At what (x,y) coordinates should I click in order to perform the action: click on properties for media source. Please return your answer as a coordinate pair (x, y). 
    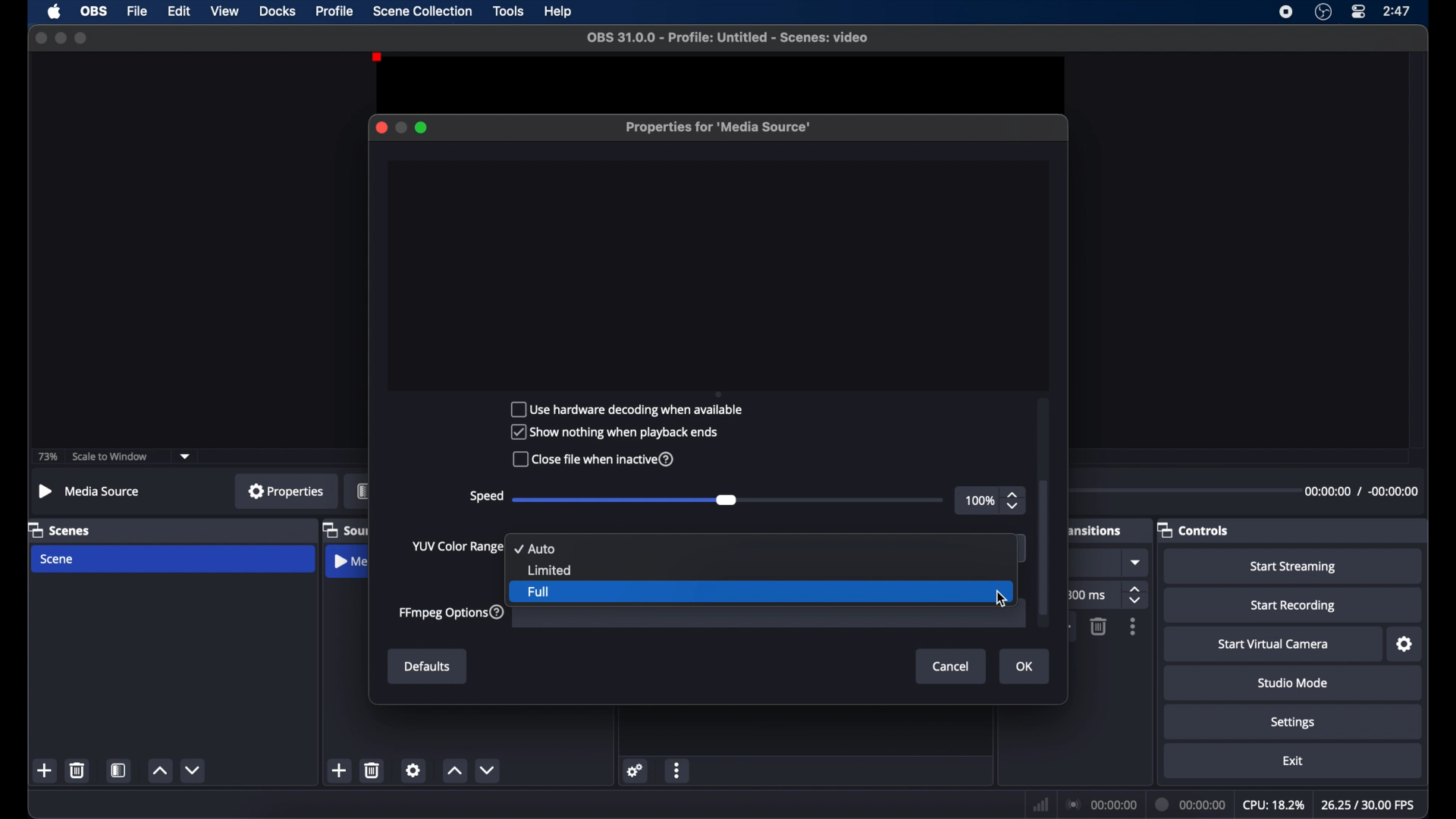
    Looking at the image, I should click on (720, 127).